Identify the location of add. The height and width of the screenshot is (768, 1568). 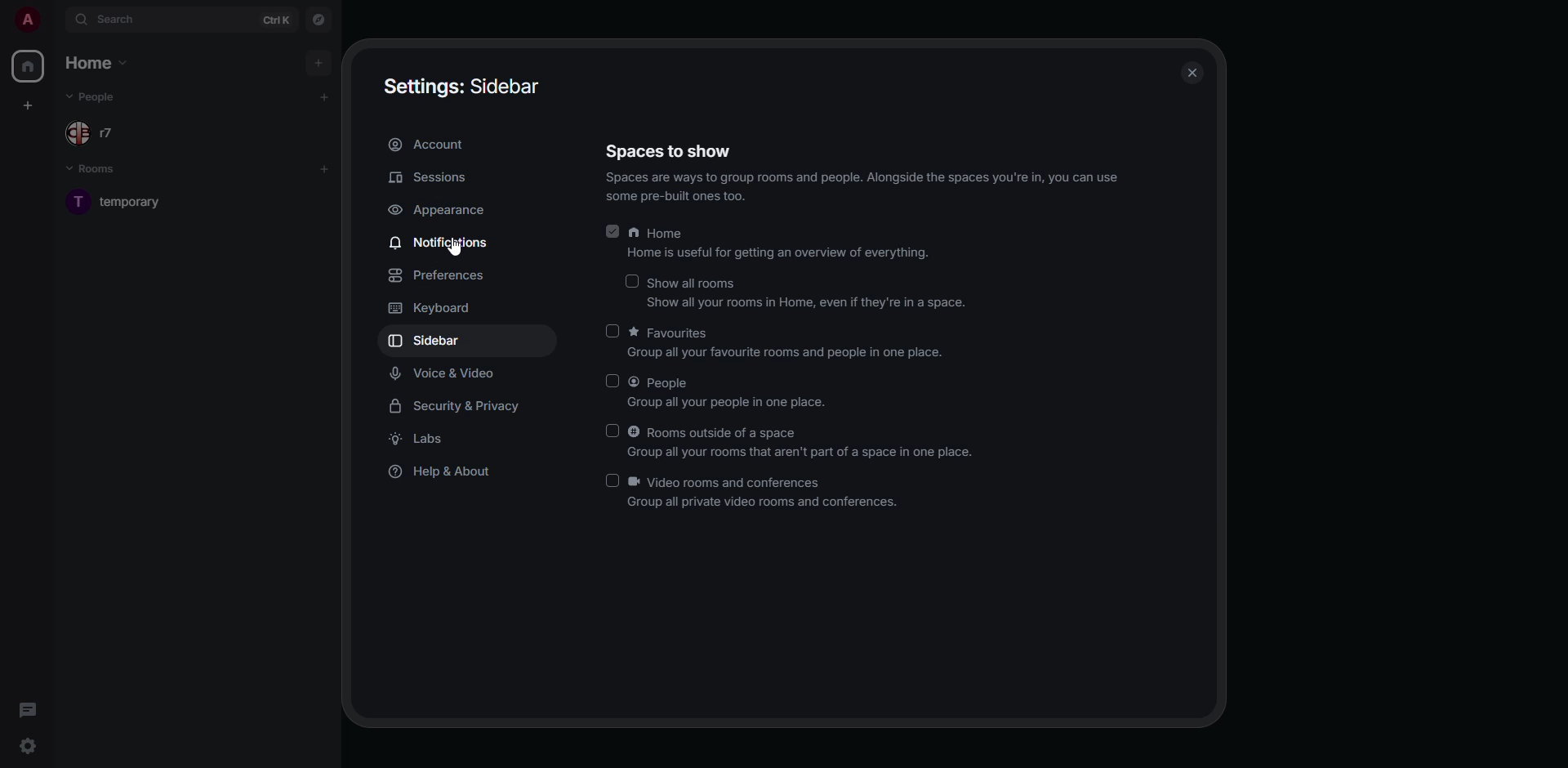
(325, 169).